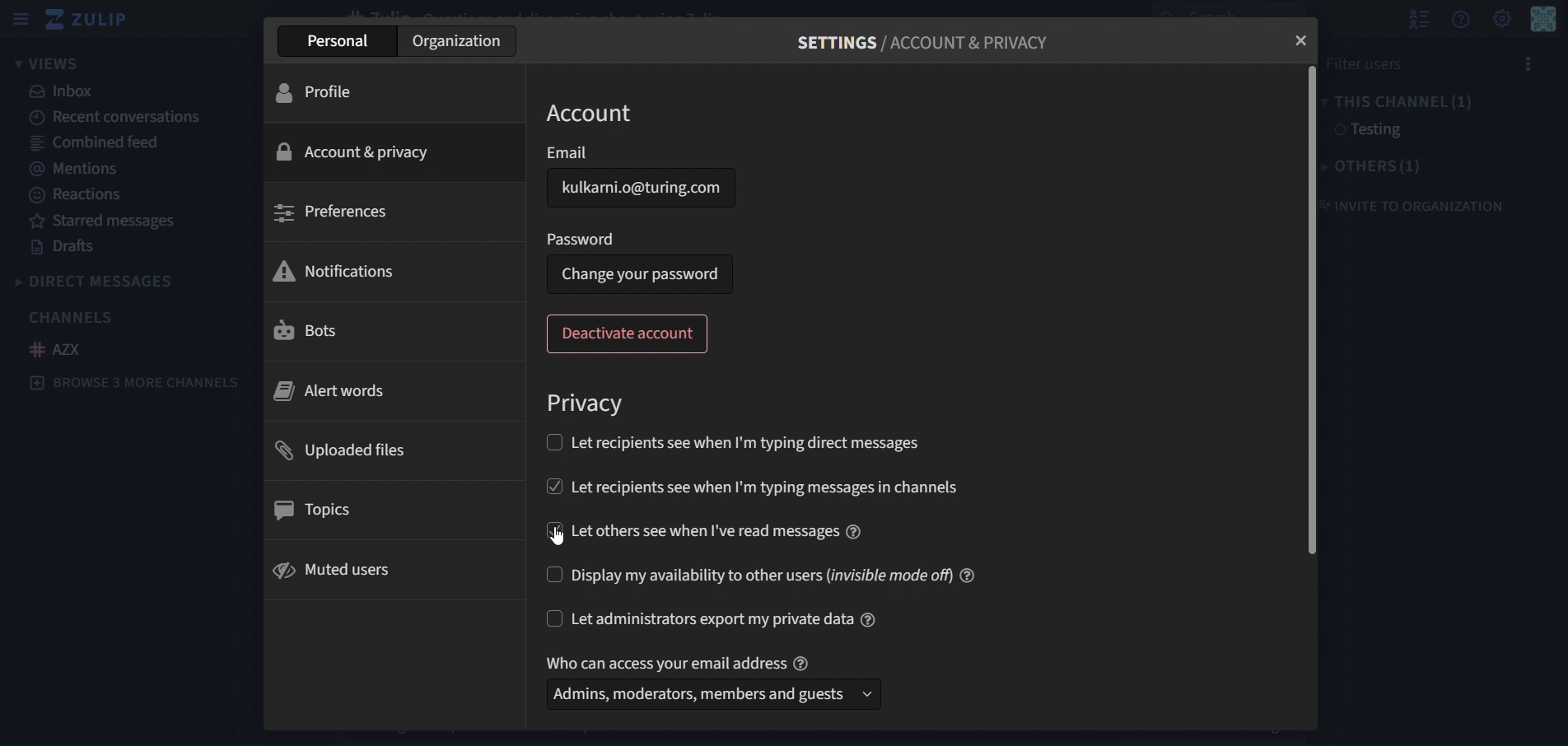 The width and height of the screenshot is (1568, 746). What do you see at coordinates (594, 114) in the screenshot?
I see `account` at bounding box center [594, 114].